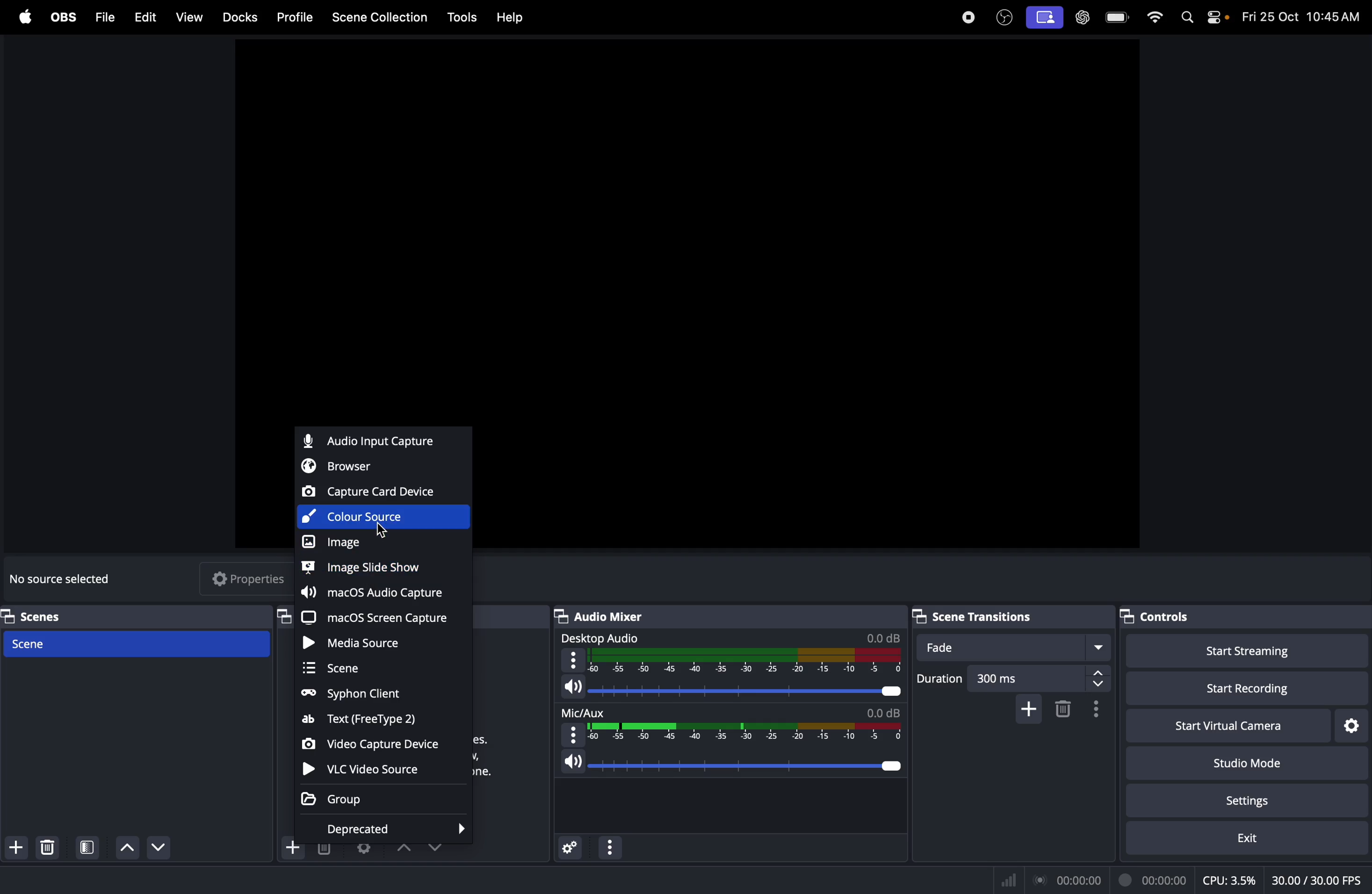  Describe the element at coordinates (685, 232) in the screenshot. I see `obs window` at that location.